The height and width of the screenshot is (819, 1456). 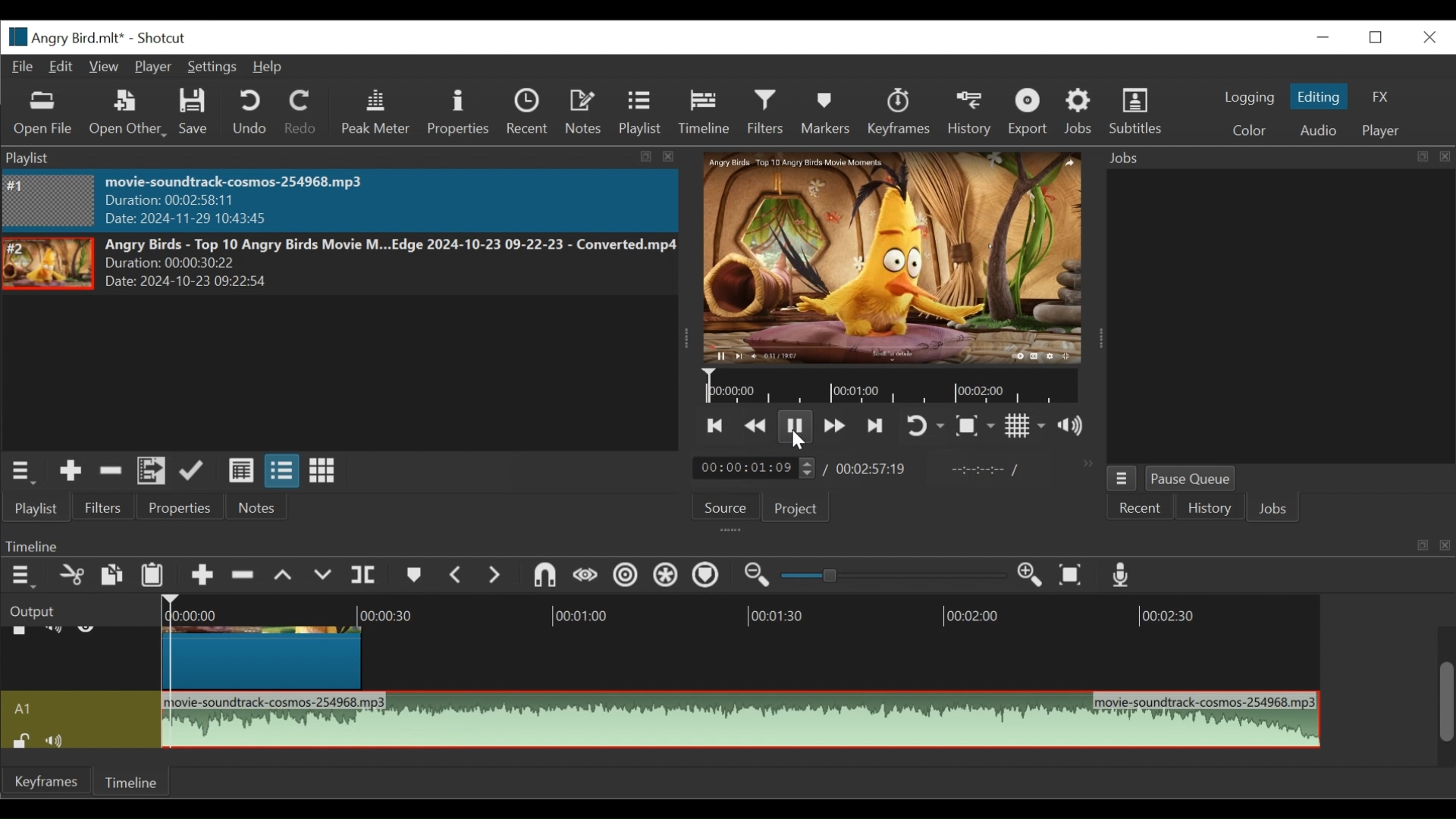 What do you see at coordinates (135, 781) in the screenshot?
I see `Timeline` at bounding box center [135, 781].